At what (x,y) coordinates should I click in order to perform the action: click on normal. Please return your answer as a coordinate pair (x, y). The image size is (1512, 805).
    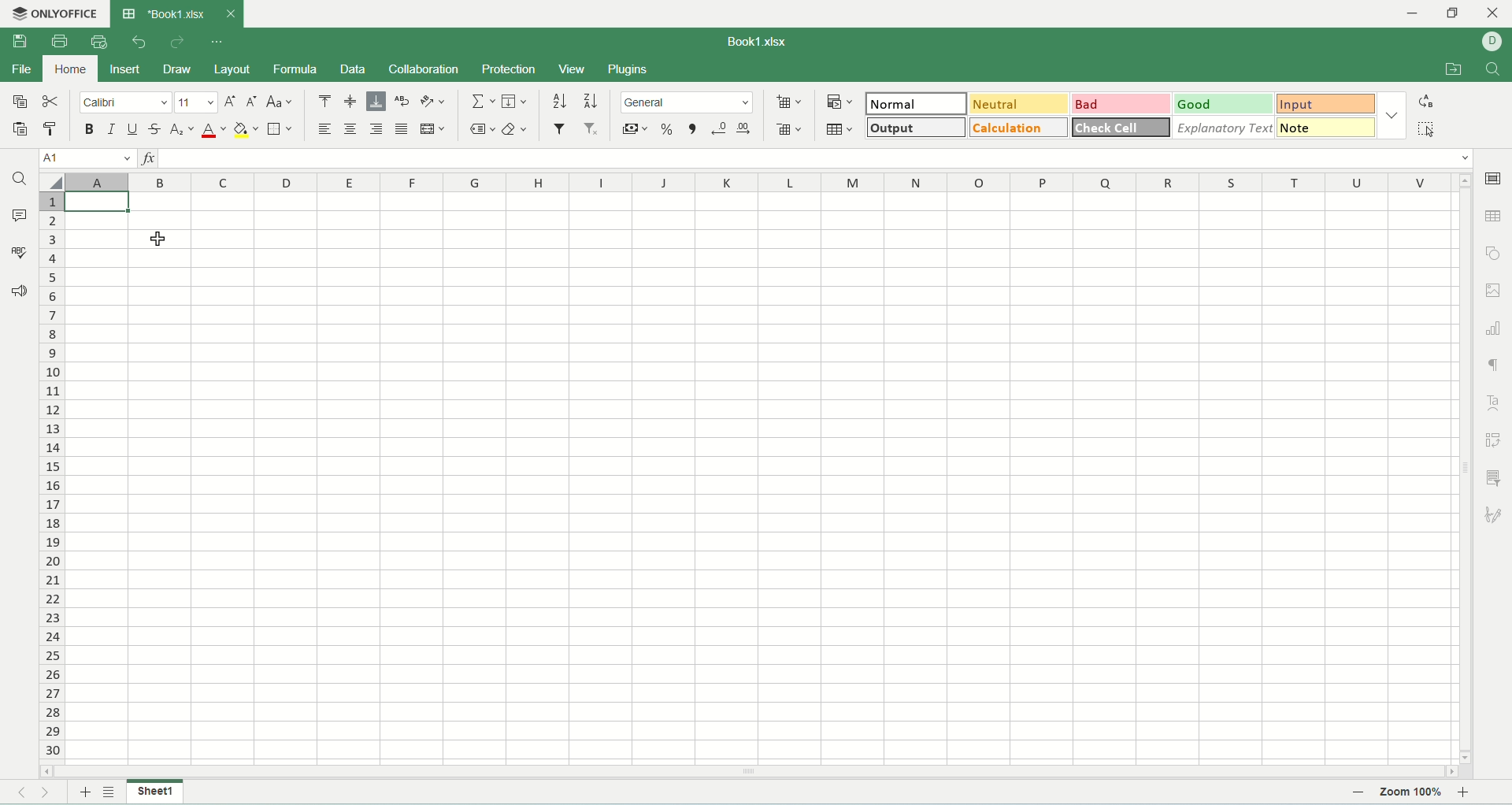
    Looking at the image, I should click on (918, 103).